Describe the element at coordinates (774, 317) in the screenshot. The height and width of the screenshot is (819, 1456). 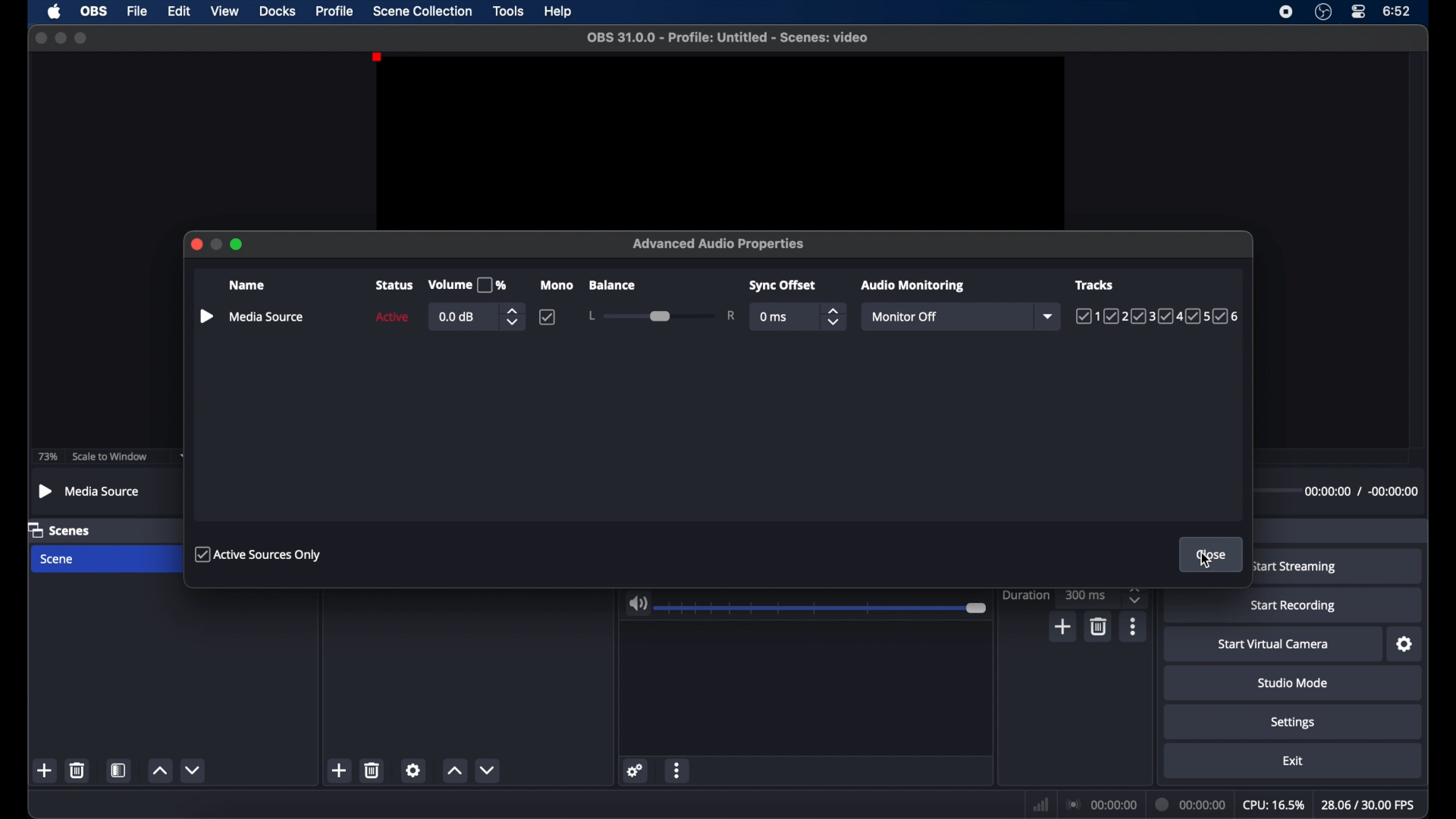
I see `0 ms` at that location.